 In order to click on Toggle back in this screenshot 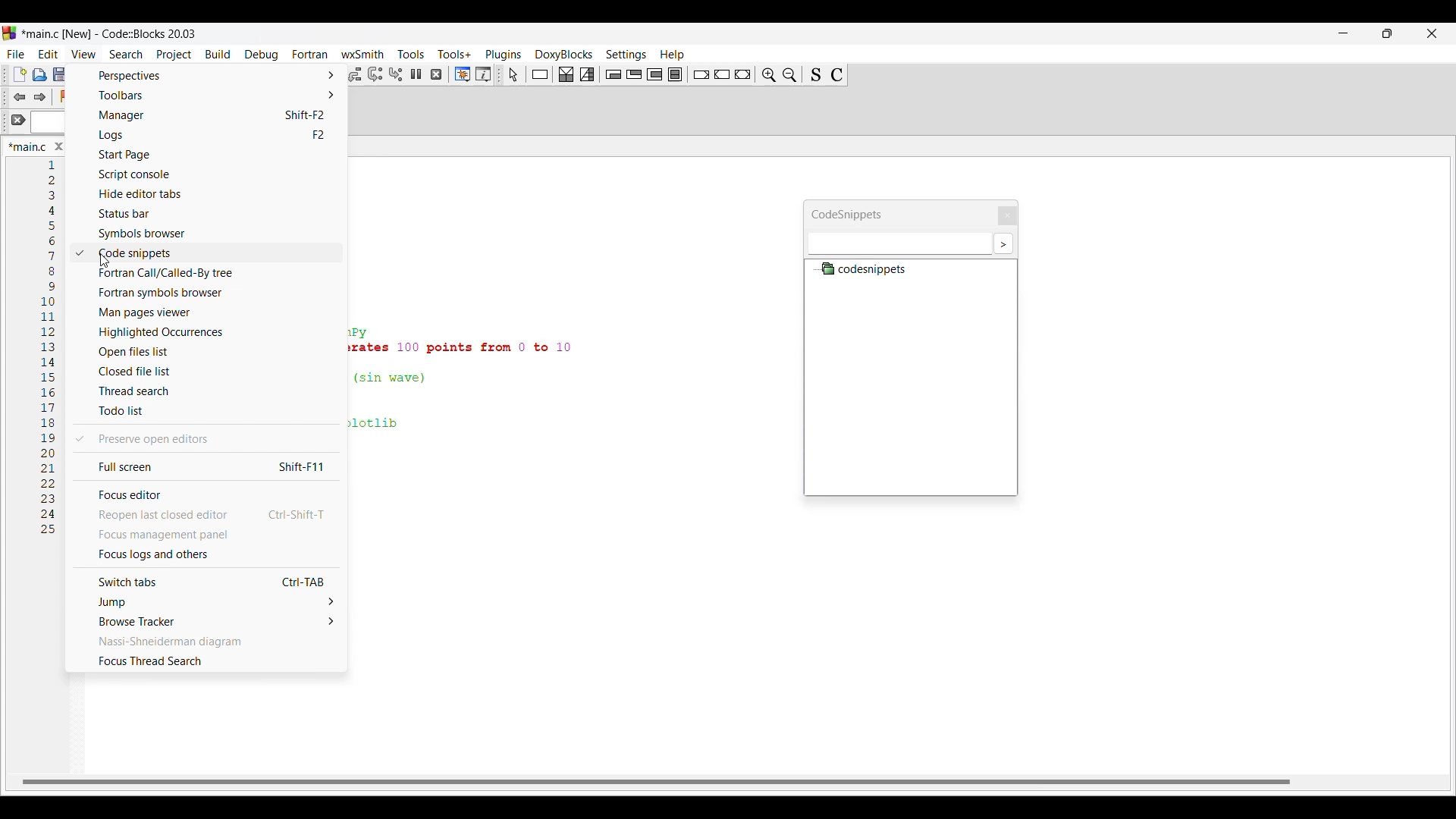, I will do `click(20, 98)`.